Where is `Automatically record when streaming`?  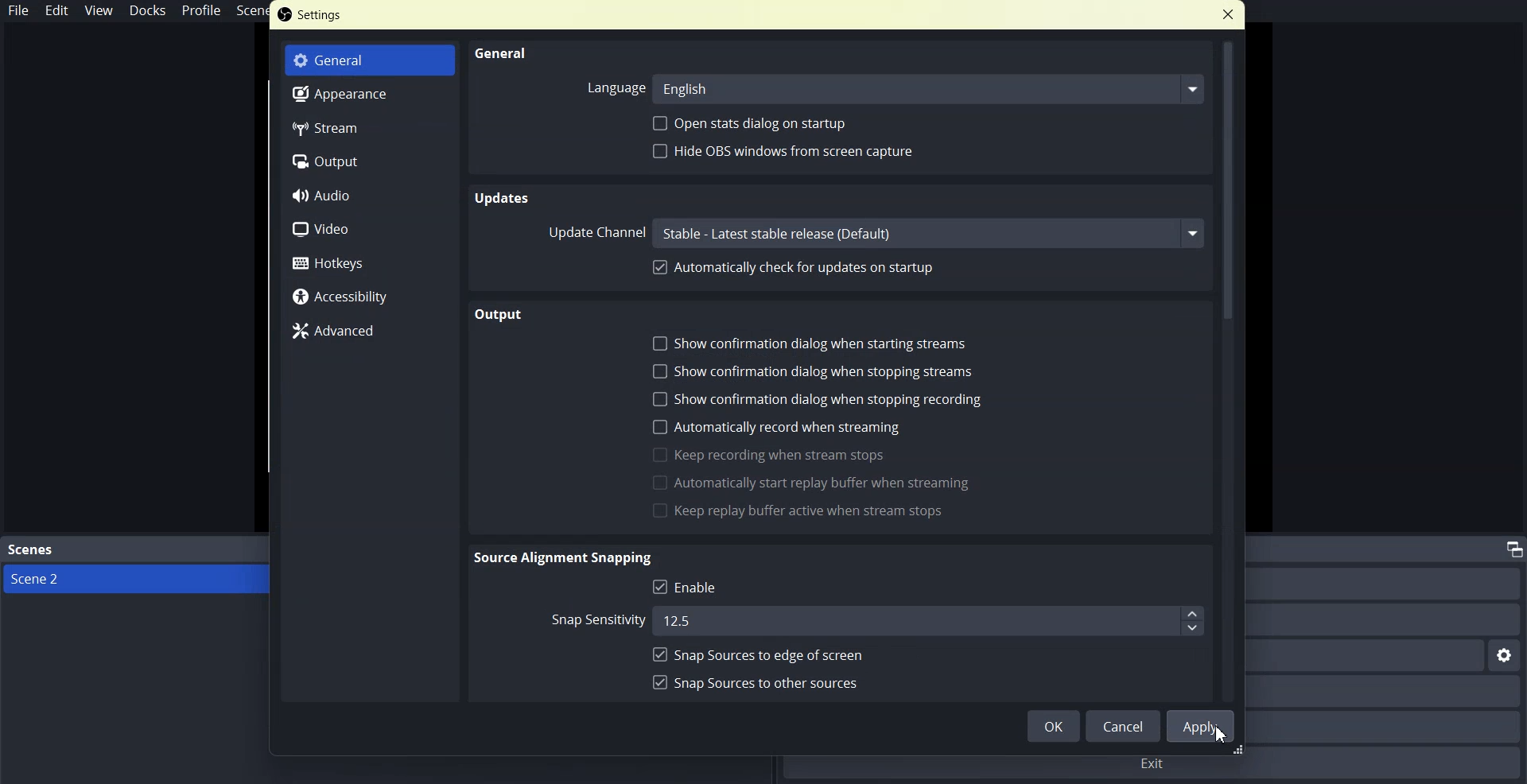
Automatically record when streaming is located at coordinates (777, 425).